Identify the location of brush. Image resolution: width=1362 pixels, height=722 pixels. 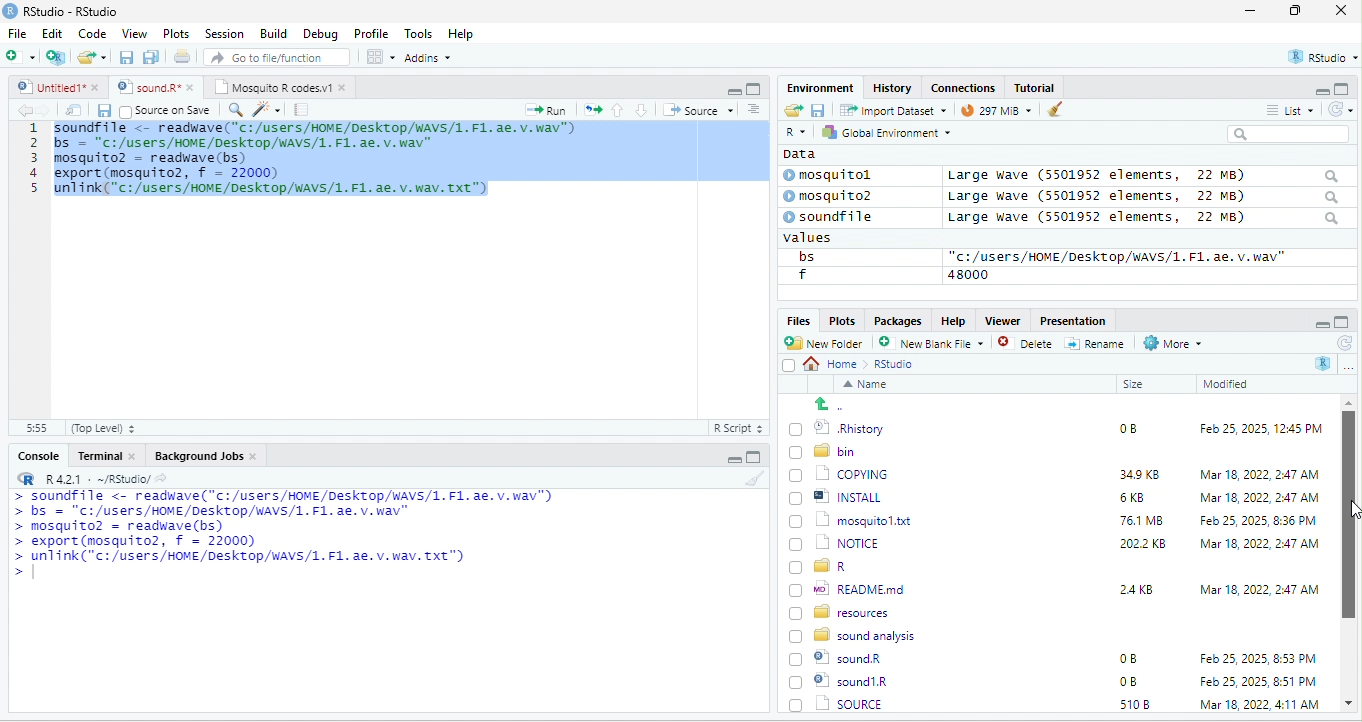
(757, 479).